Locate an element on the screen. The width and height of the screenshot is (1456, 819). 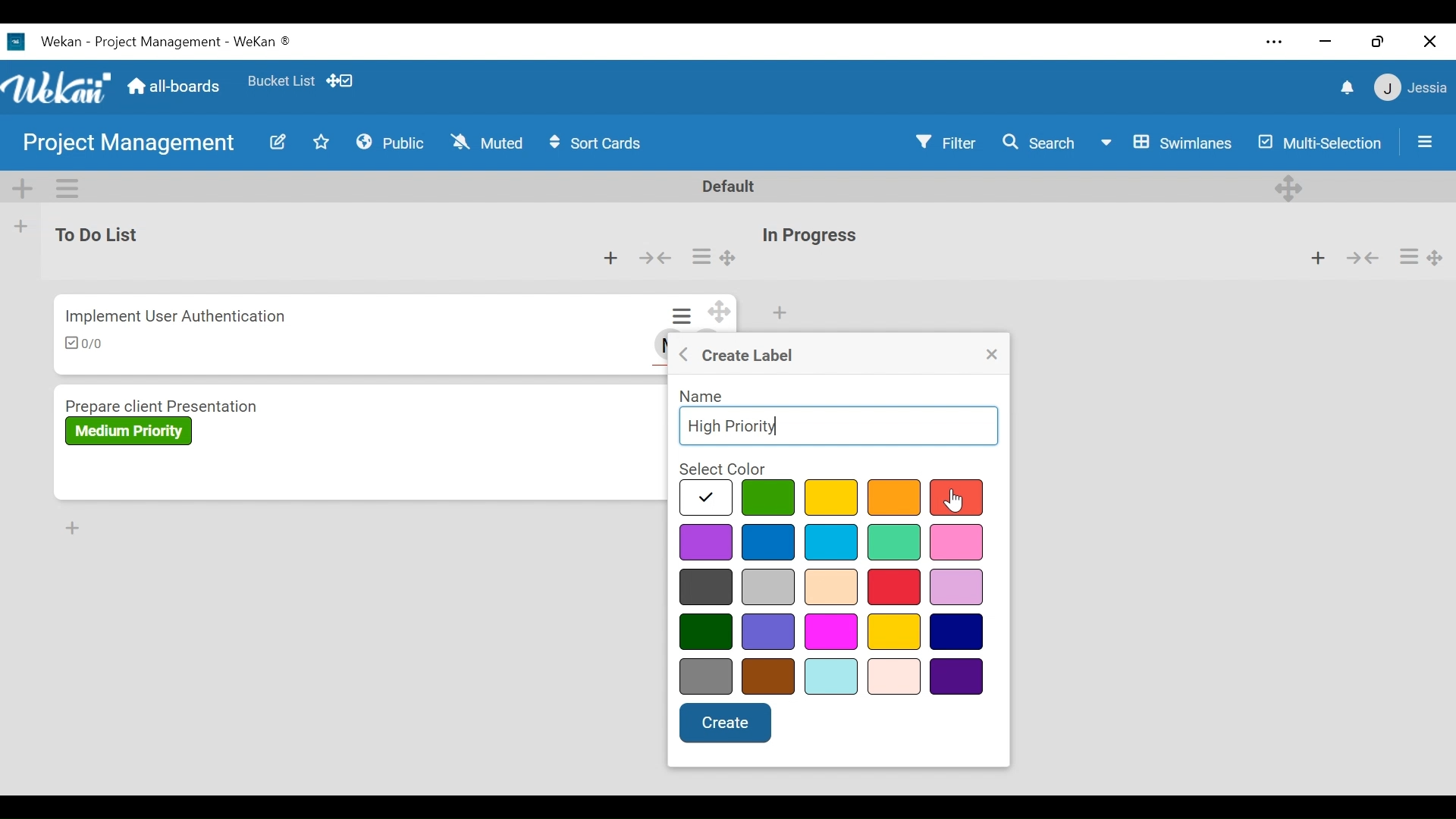
Board Name is located at coordinates (131, 145).